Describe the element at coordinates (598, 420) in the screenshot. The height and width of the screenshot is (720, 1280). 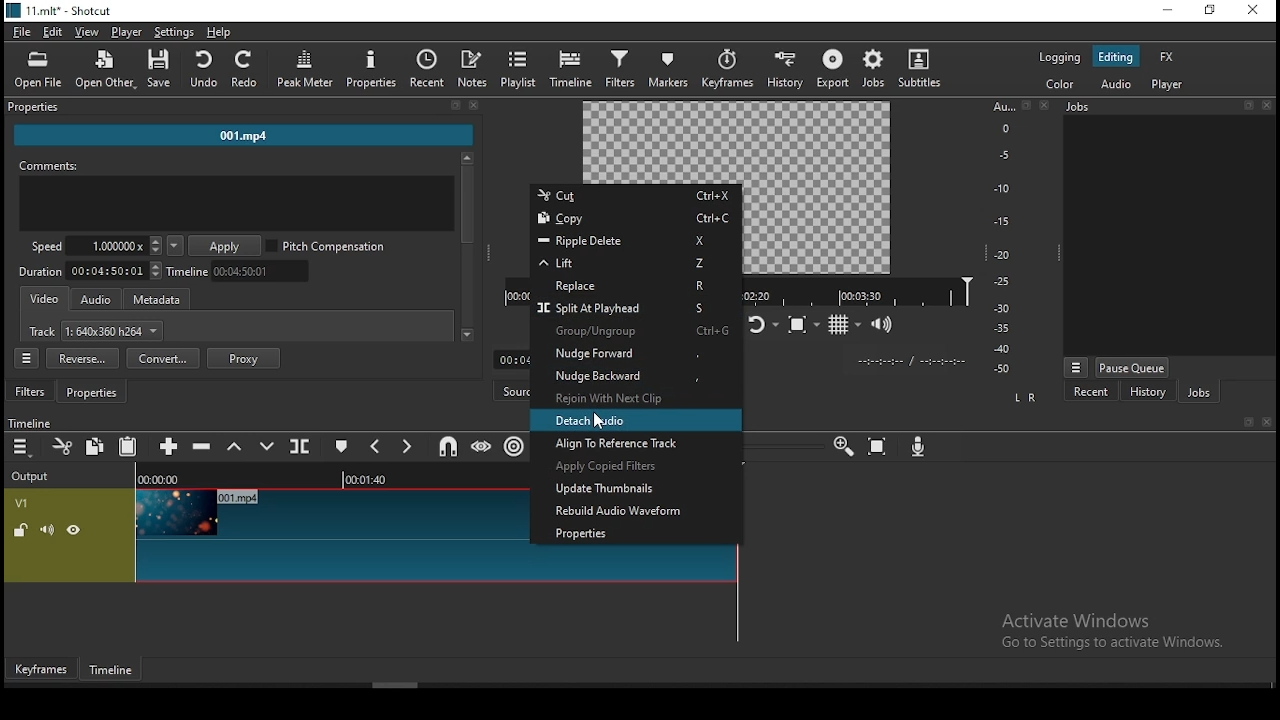
I see `cursor` at that location.